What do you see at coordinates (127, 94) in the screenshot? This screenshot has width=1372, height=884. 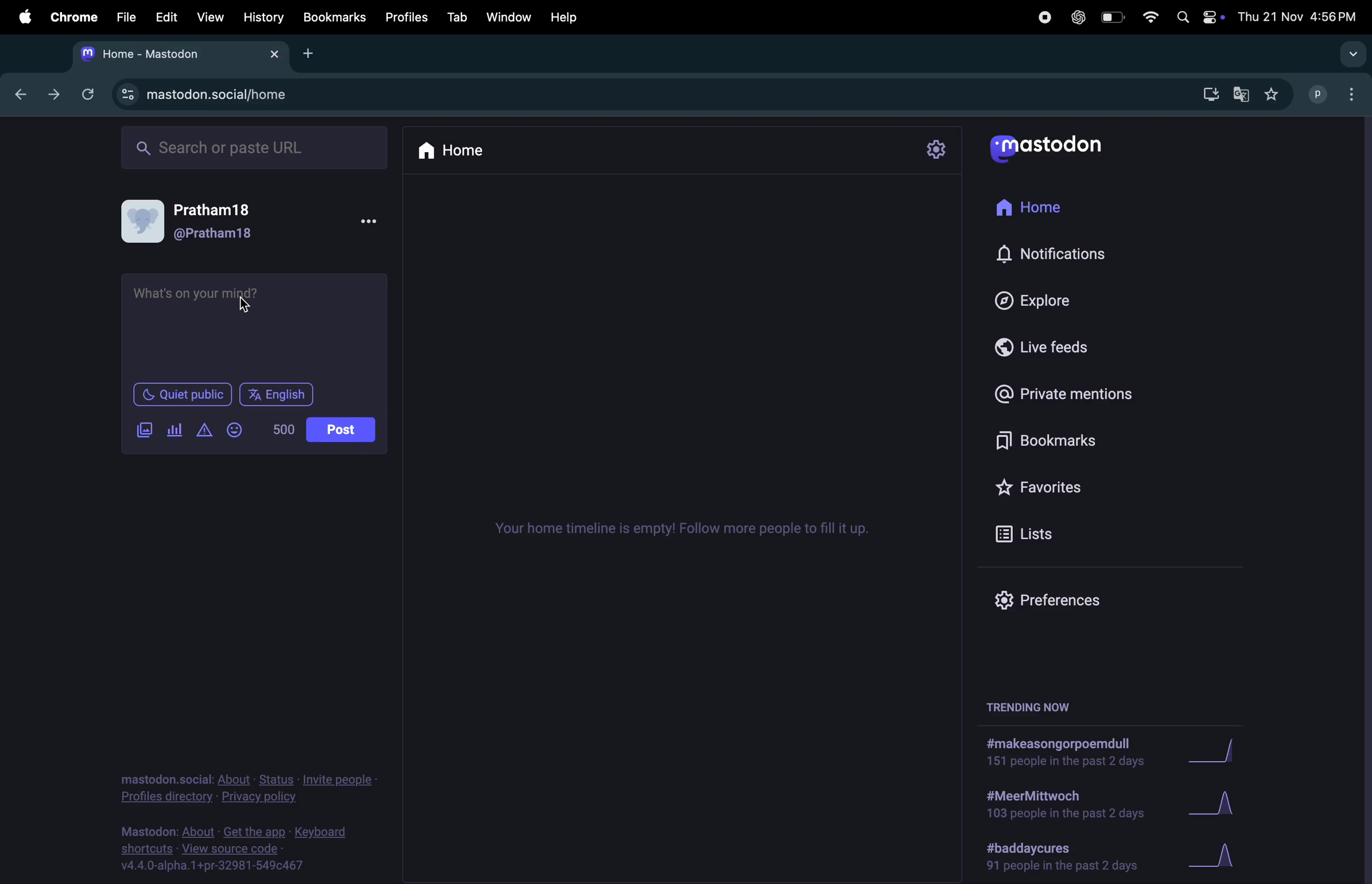 I see `site information` at bounding box center [127, 94].